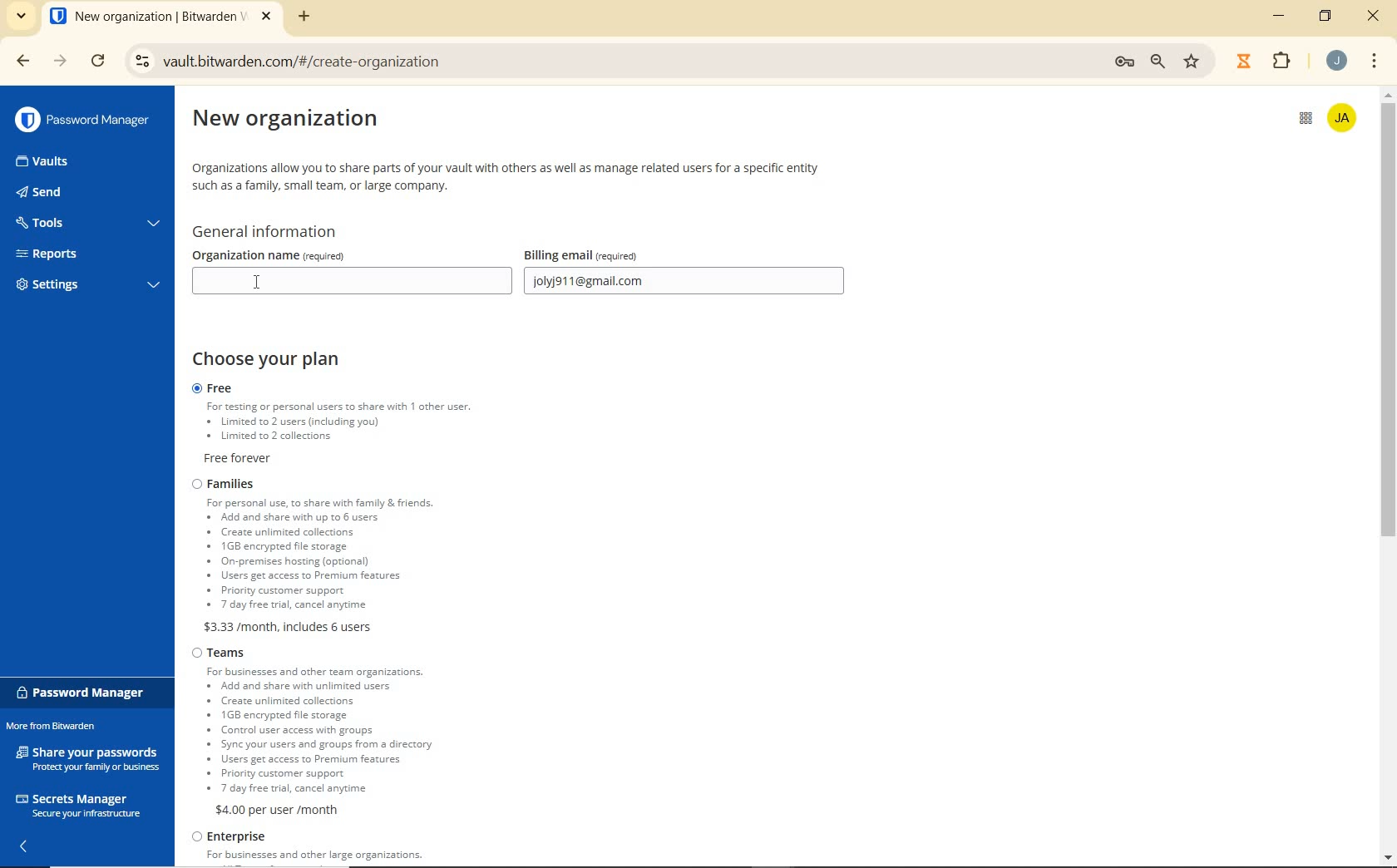  What do you see at coordinates (1160, 62) in the screenshot?
I see `zoom` at bounding box center [1160, 62].